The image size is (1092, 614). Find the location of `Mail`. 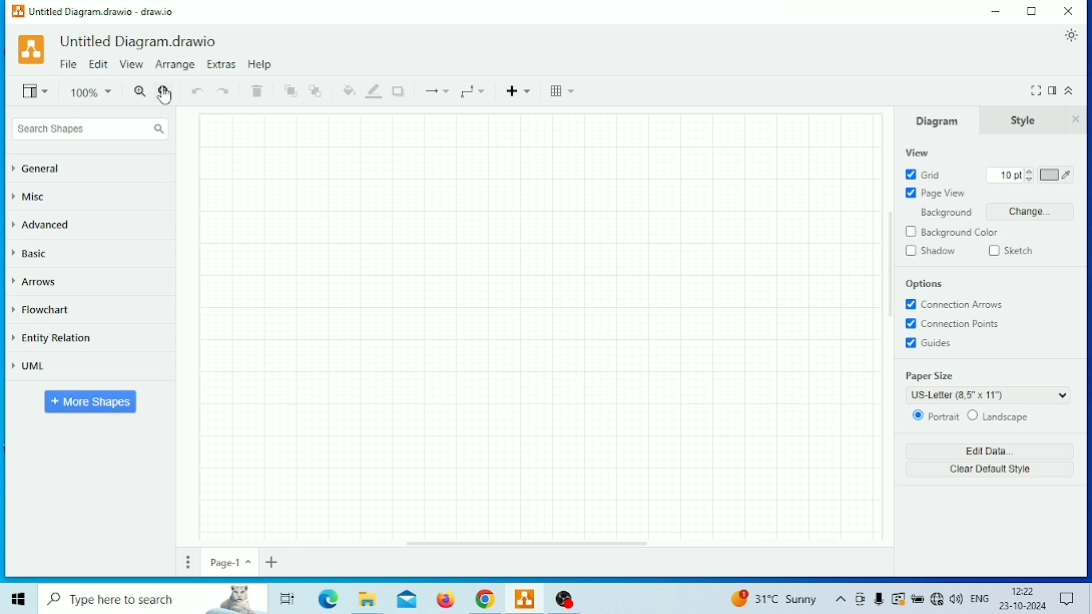

Mail is located at coordinates (407, 599).